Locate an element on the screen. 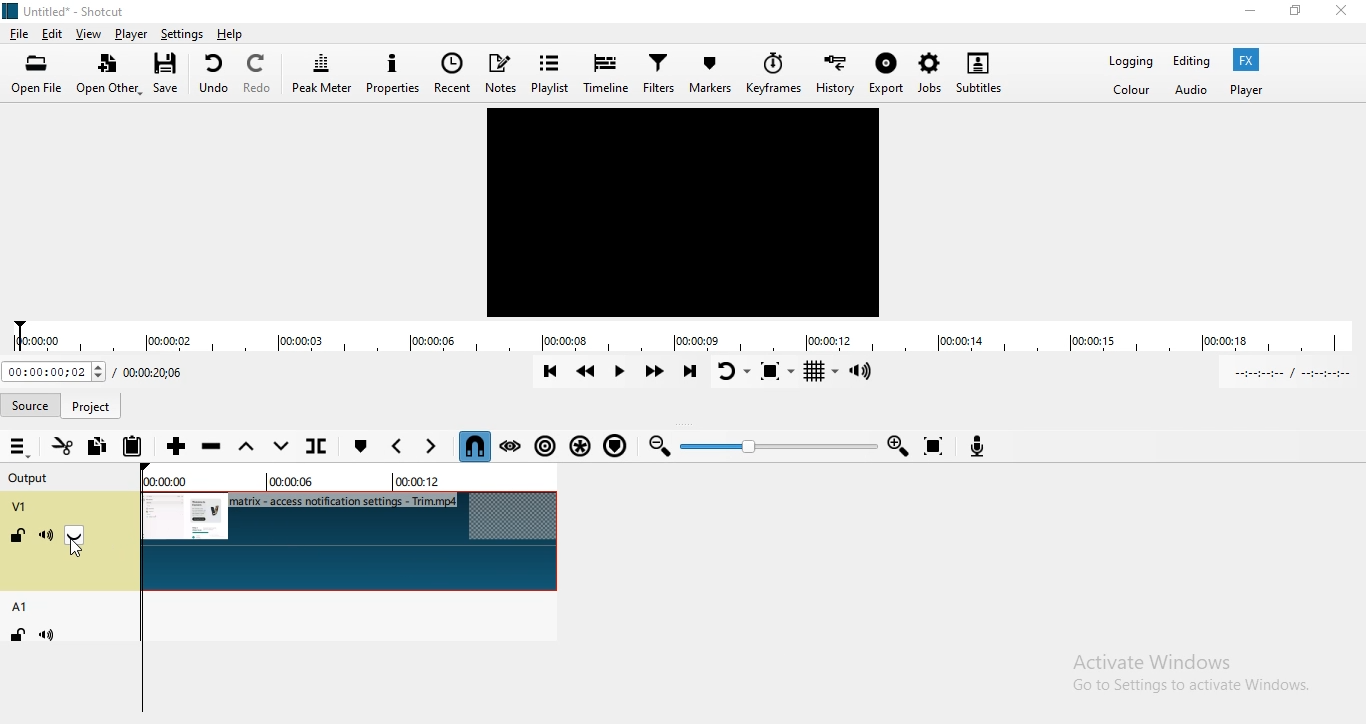 The width and height of the screenshot is (1366, 724). Zoom out is located at coordinates (661, 449).